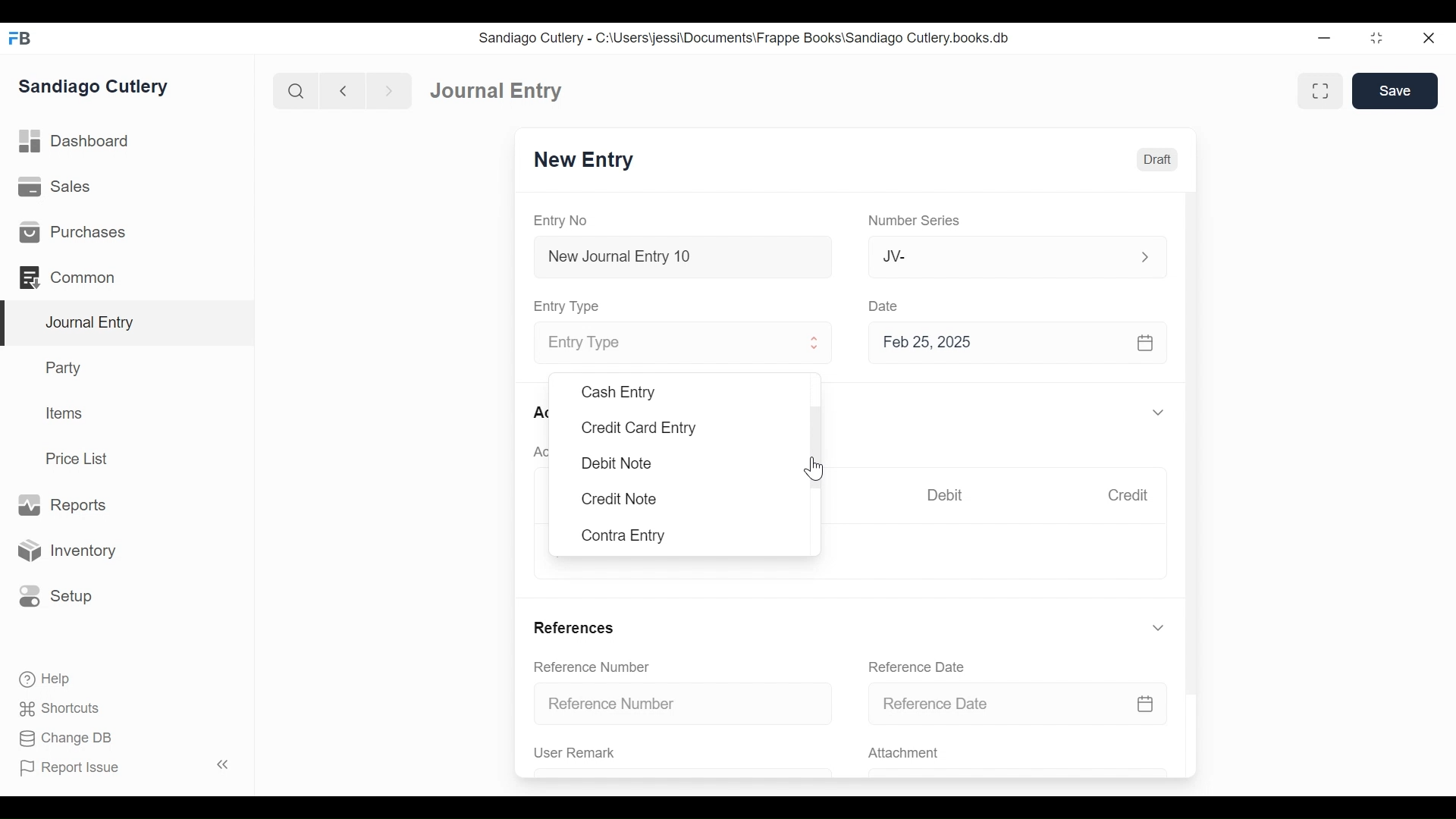  What do you see at coordinates (949, 495) in the screenshot?
I see `Debit` at bounding box center [949, 495].